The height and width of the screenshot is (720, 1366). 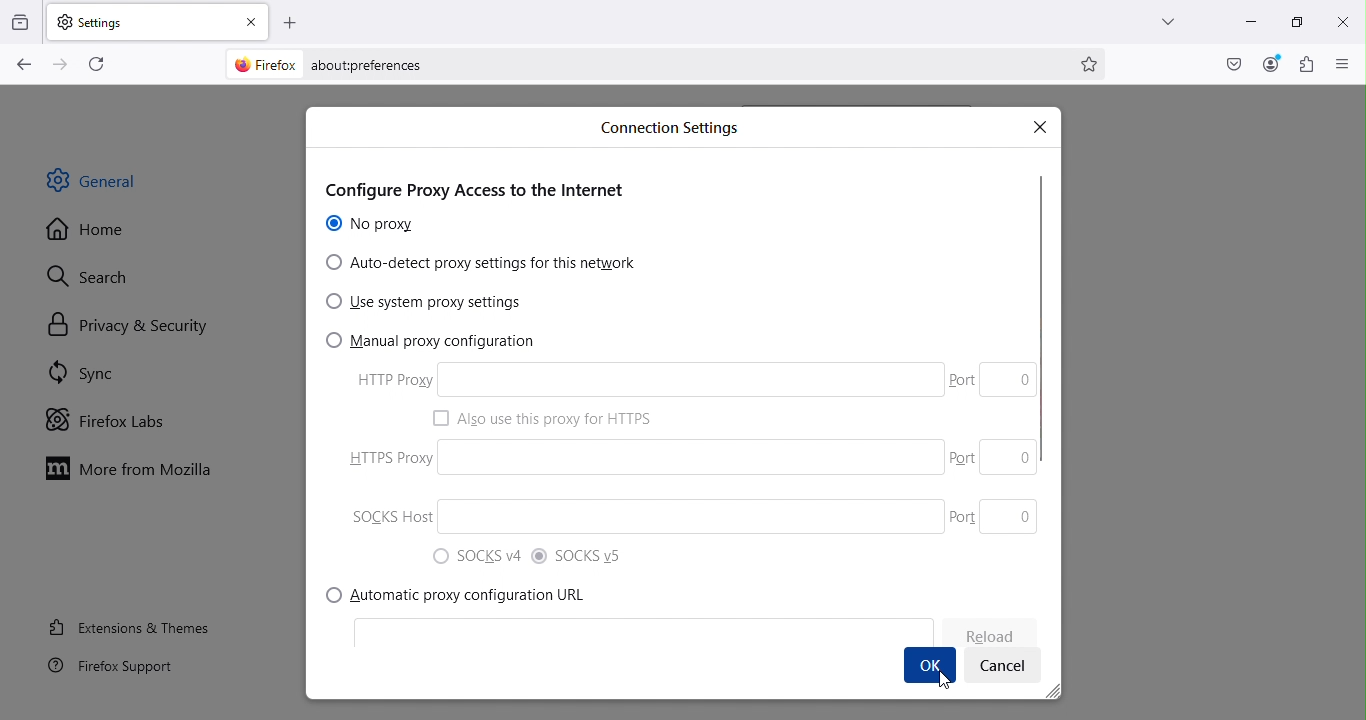 What do you see at coordinates (1304, 65) in the screenshot?
I see `Extensions` at bounding box center [1304, 65].